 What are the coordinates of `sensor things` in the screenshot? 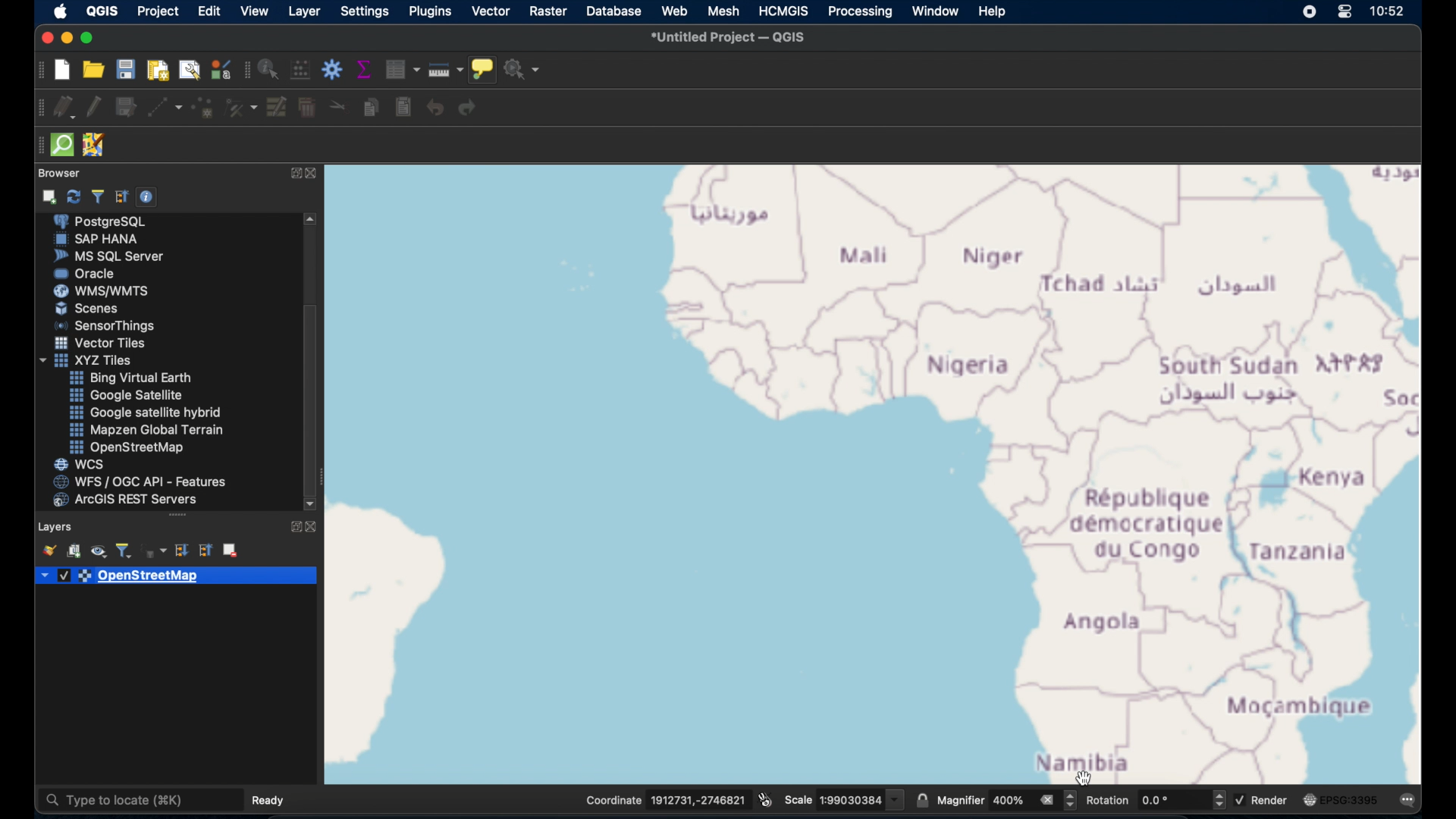 It's located at (106, 328).